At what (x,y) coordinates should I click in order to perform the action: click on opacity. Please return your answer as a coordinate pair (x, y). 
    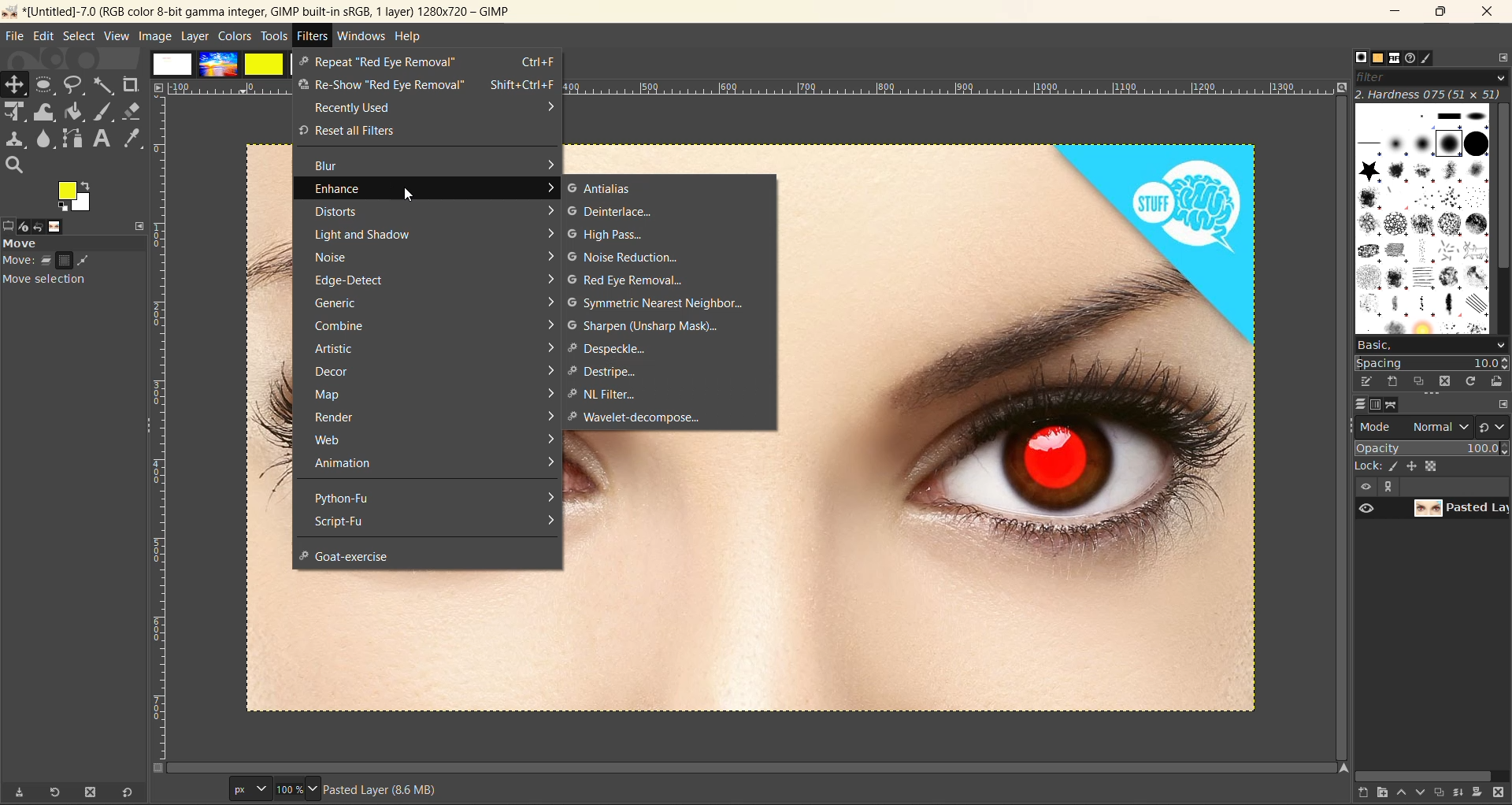
    Looking at the image, I should click on (1432, 448).